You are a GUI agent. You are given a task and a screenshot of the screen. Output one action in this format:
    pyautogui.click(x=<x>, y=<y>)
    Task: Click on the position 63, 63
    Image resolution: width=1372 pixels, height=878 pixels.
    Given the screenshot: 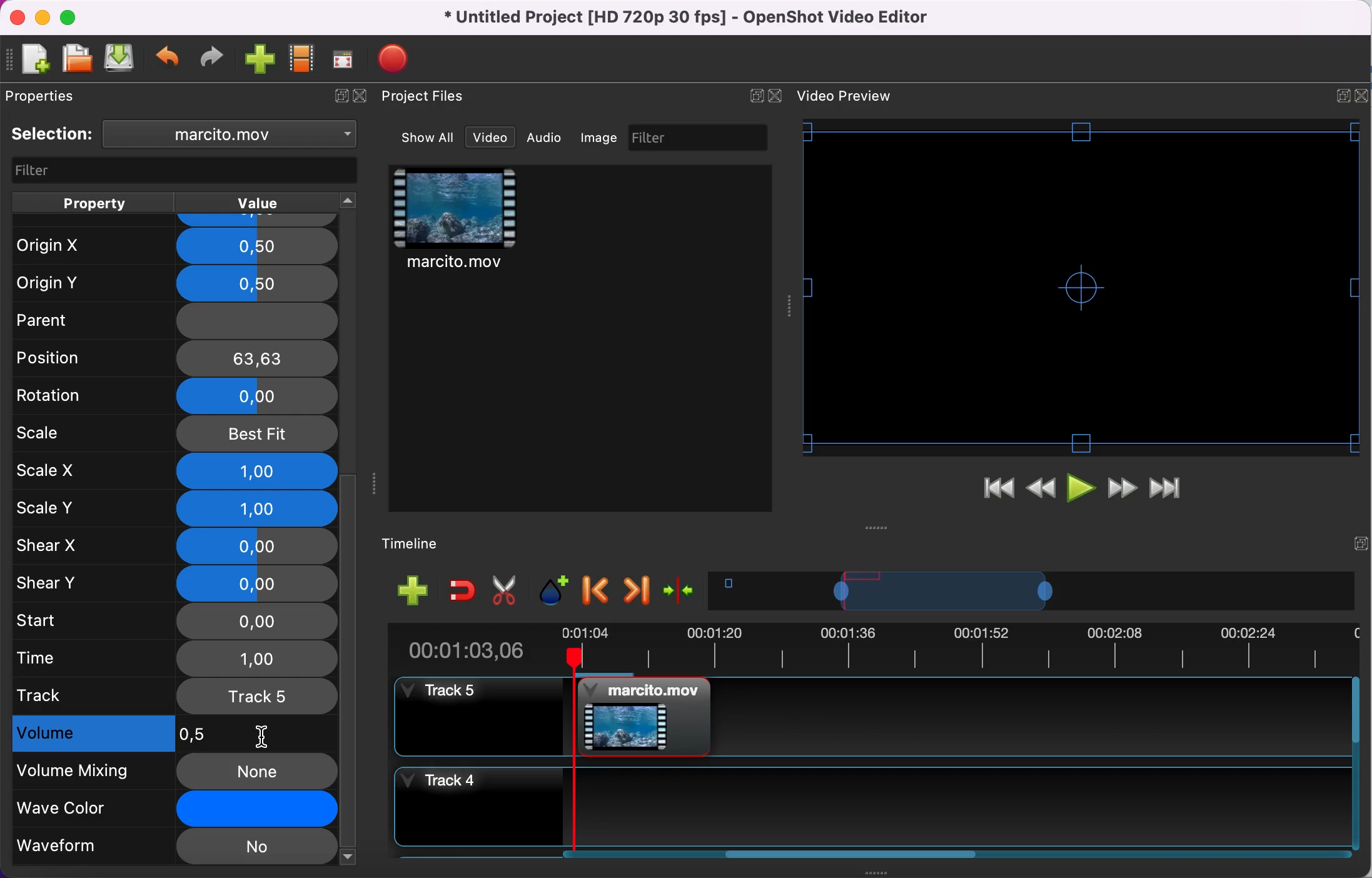 What is the action you would take?
    pyautogui.click(x=178, y=357)
    